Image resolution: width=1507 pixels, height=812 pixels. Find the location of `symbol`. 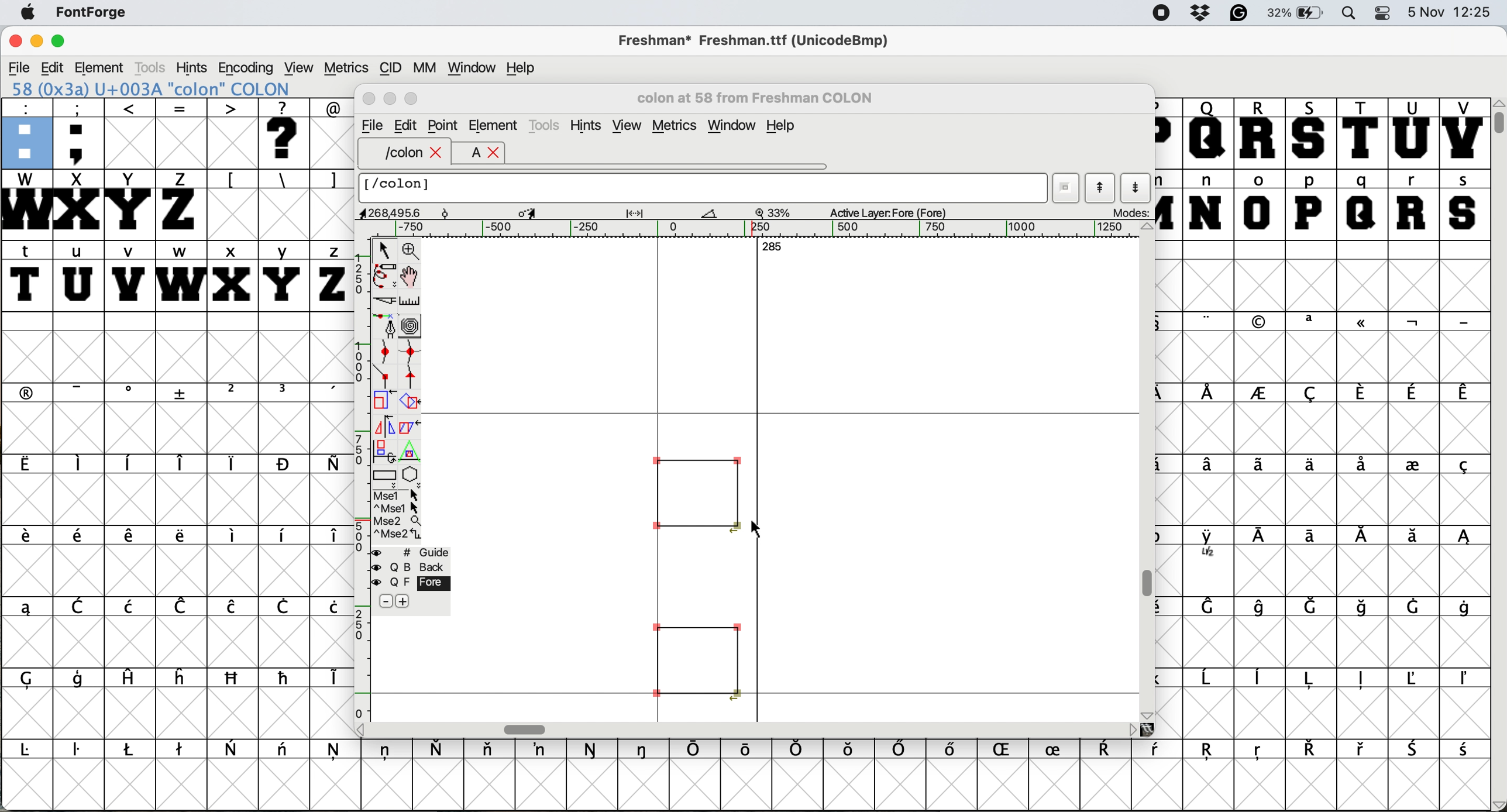

symbol is located at coordinates (1413, 463).